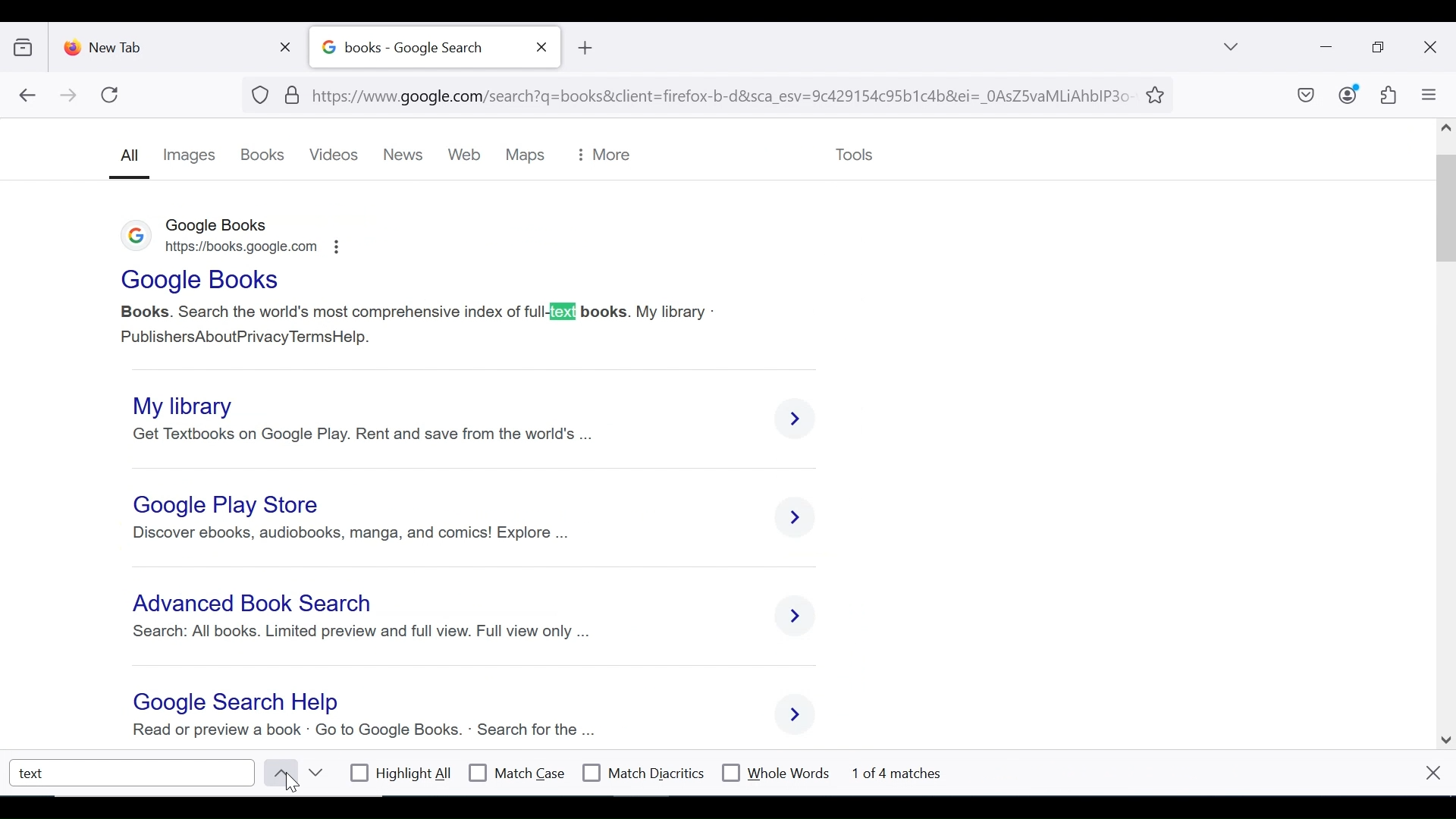 The width and height of the screenshot is (1456, 819). I want to click on maps, so click(523, 155).